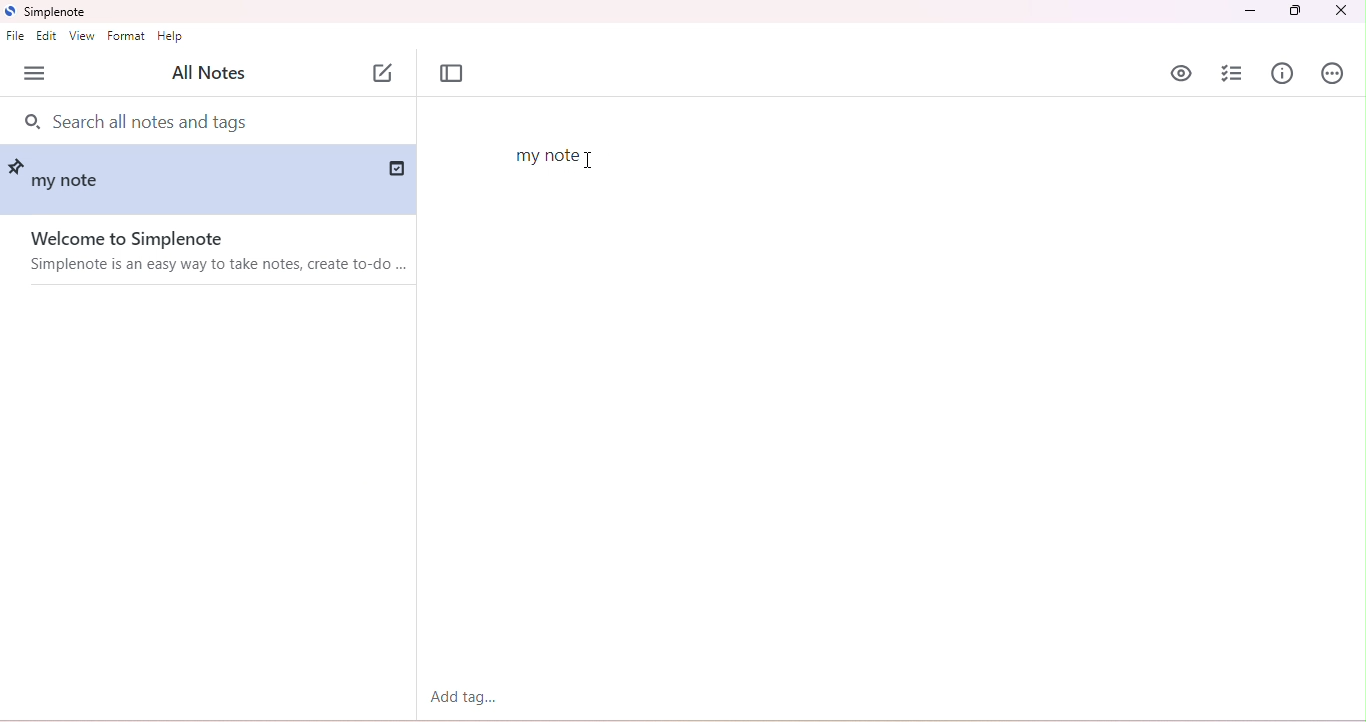 This screenshot has height=722, width=1366. Describe the element at coordinates (170, 37) in the screenshot. I see `help` at that location.